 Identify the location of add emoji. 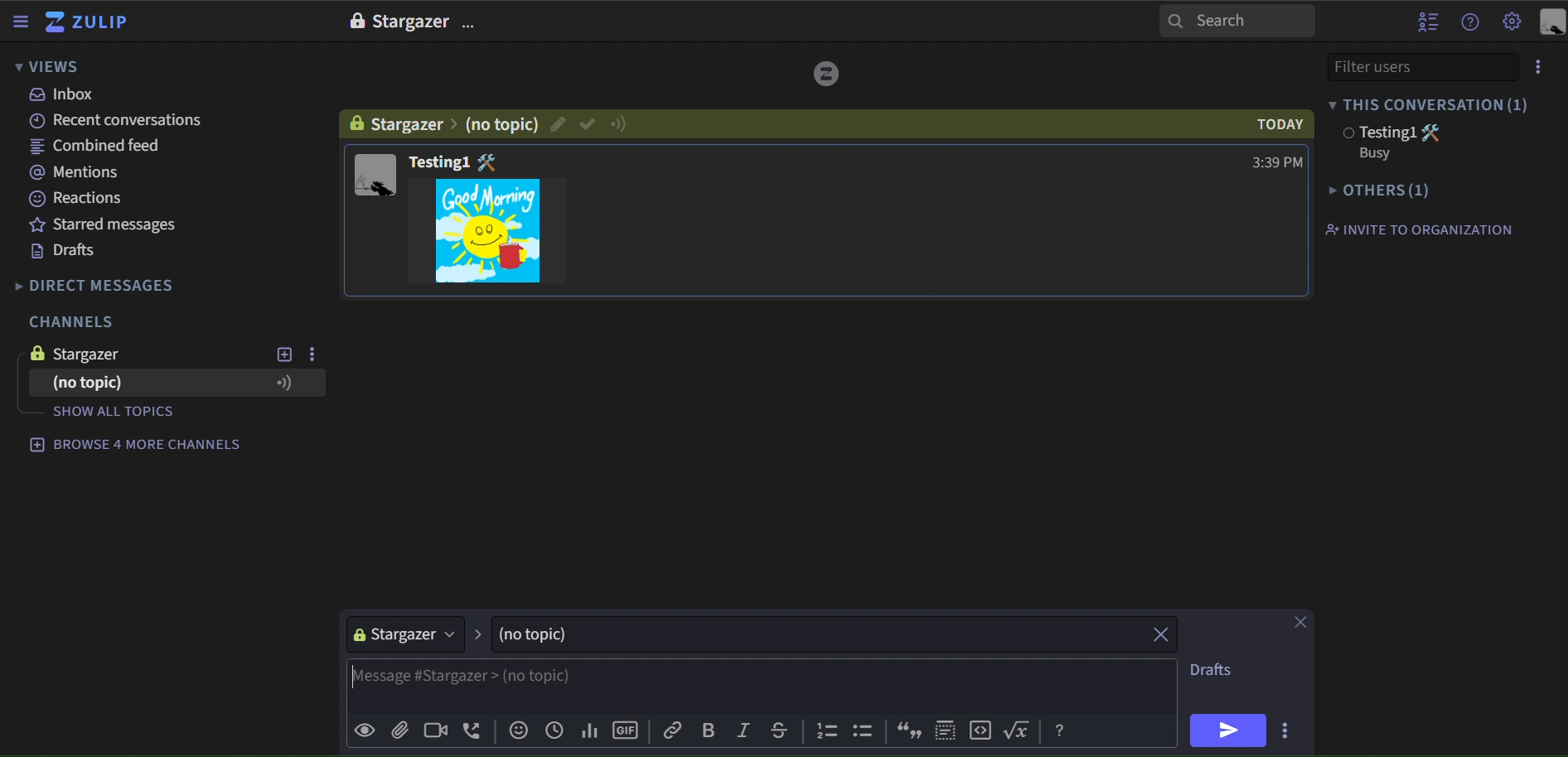
(519, 730).